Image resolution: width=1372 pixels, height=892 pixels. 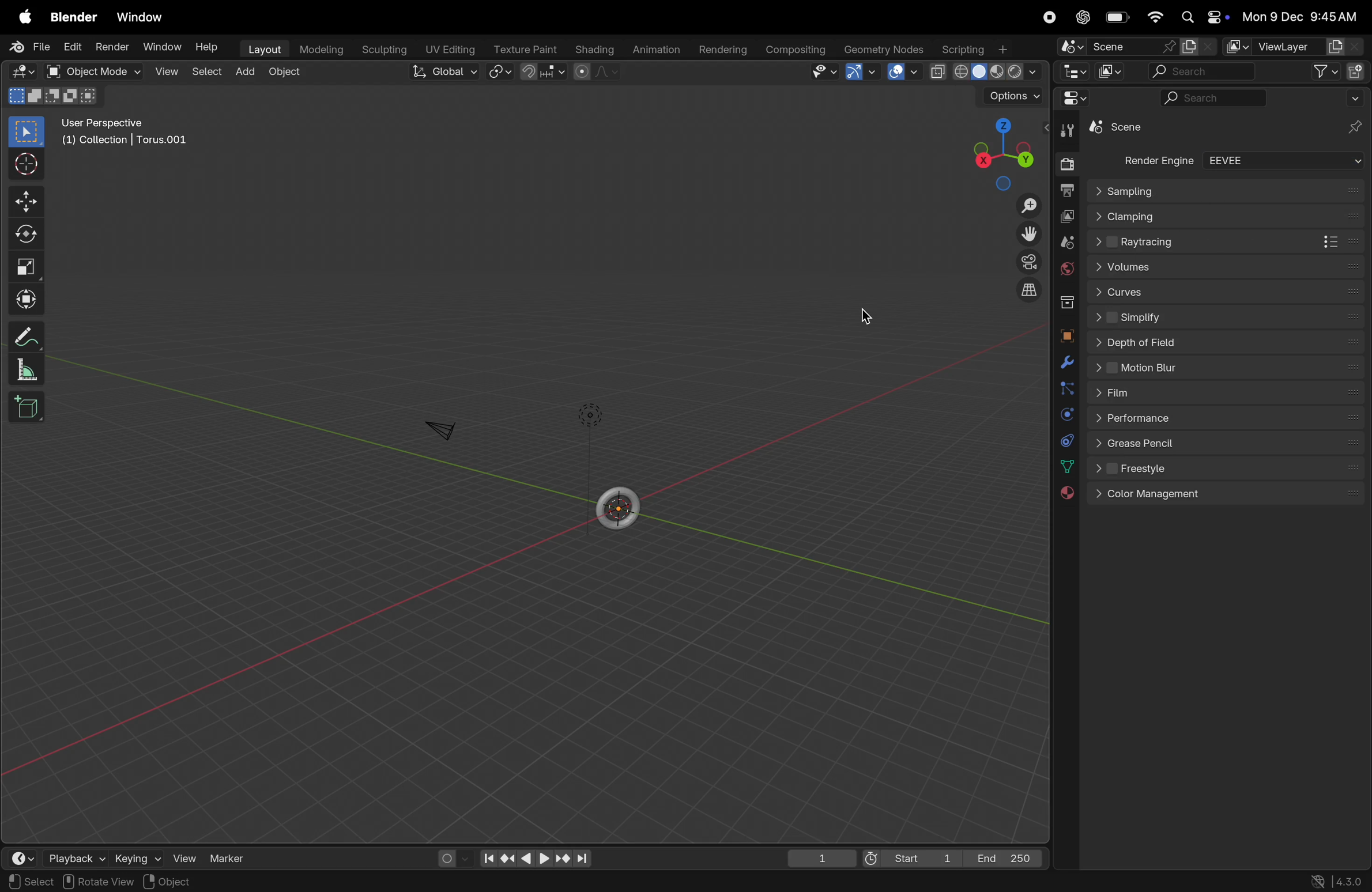 I want to click on View, so click(x=188, y=857).